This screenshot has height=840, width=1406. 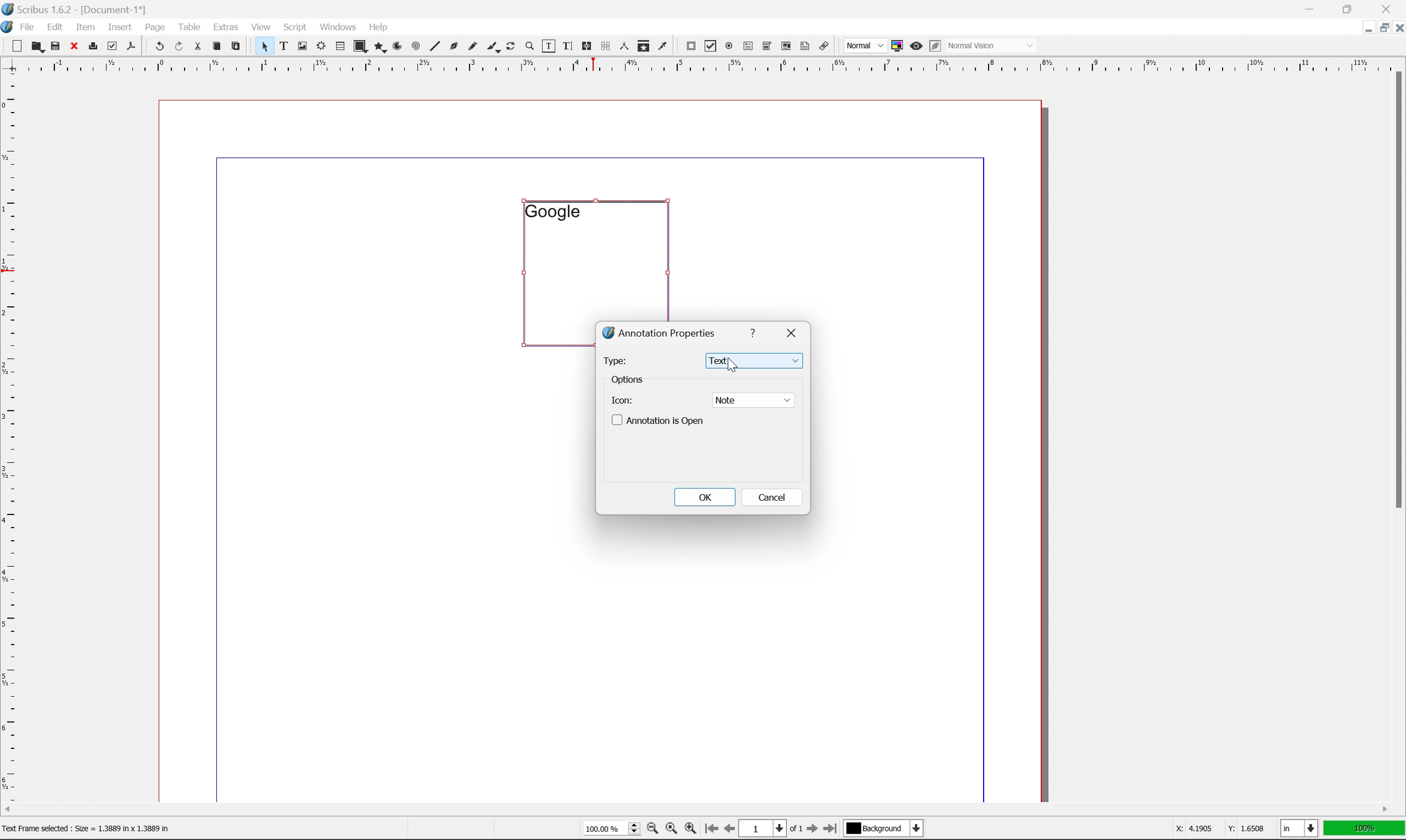 I want to click on close, so click(x=1397, y=27).